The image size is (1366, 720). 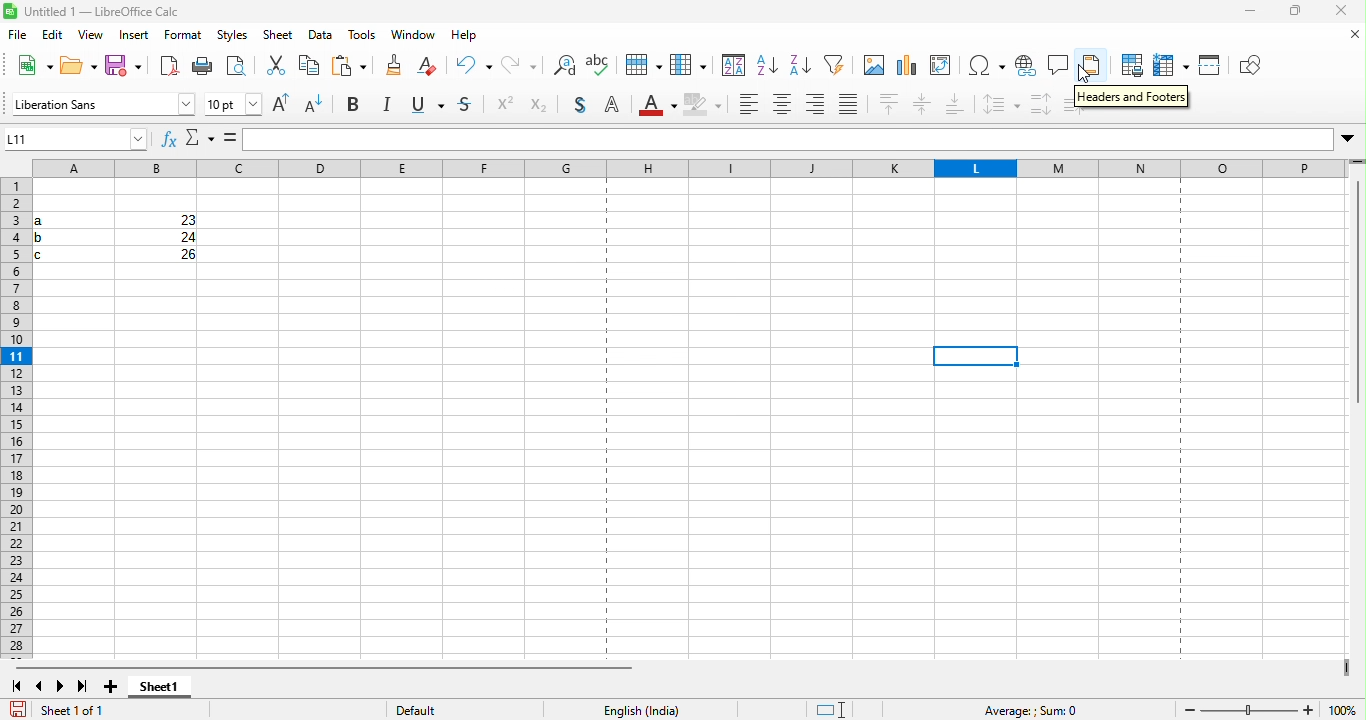 What do you see at coordinates (468, 107) in the screenshot?
I see `stricktthrough` at bounding box center [468, 107].